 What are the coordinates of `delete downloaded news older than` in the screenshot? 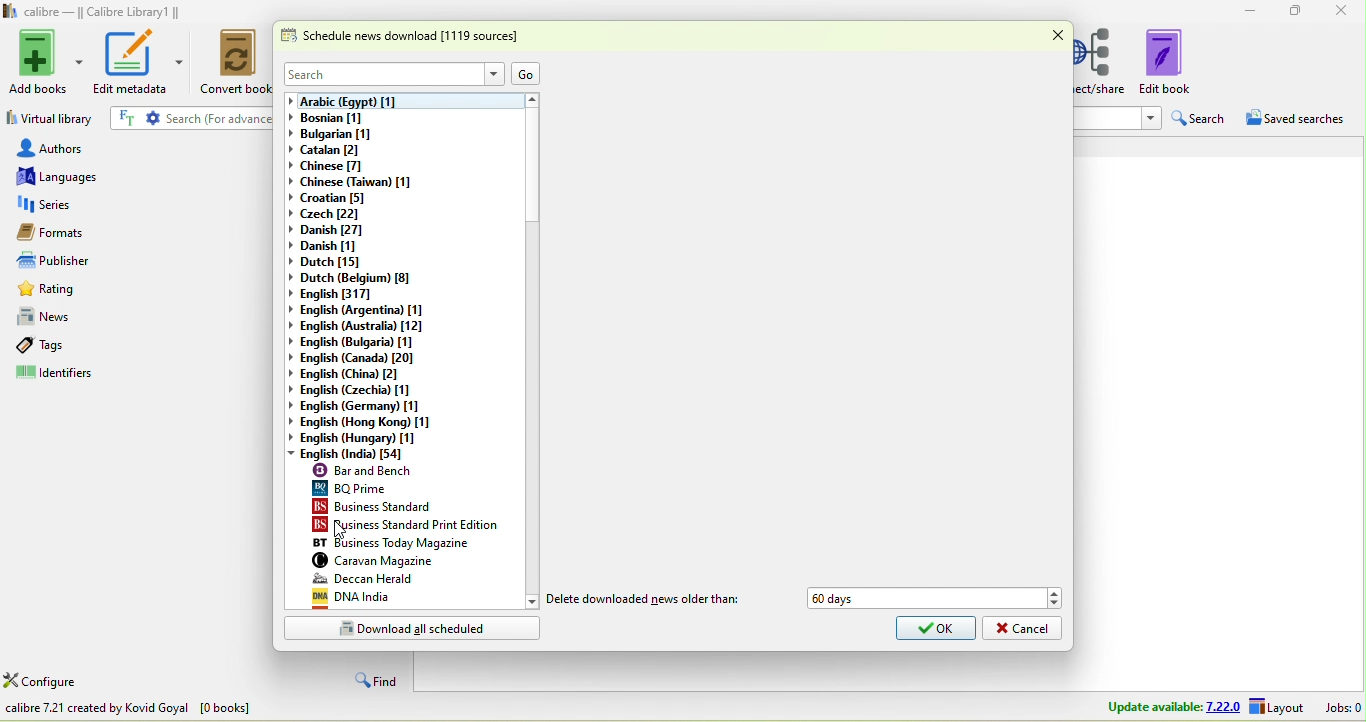 It's located at (645, 600).